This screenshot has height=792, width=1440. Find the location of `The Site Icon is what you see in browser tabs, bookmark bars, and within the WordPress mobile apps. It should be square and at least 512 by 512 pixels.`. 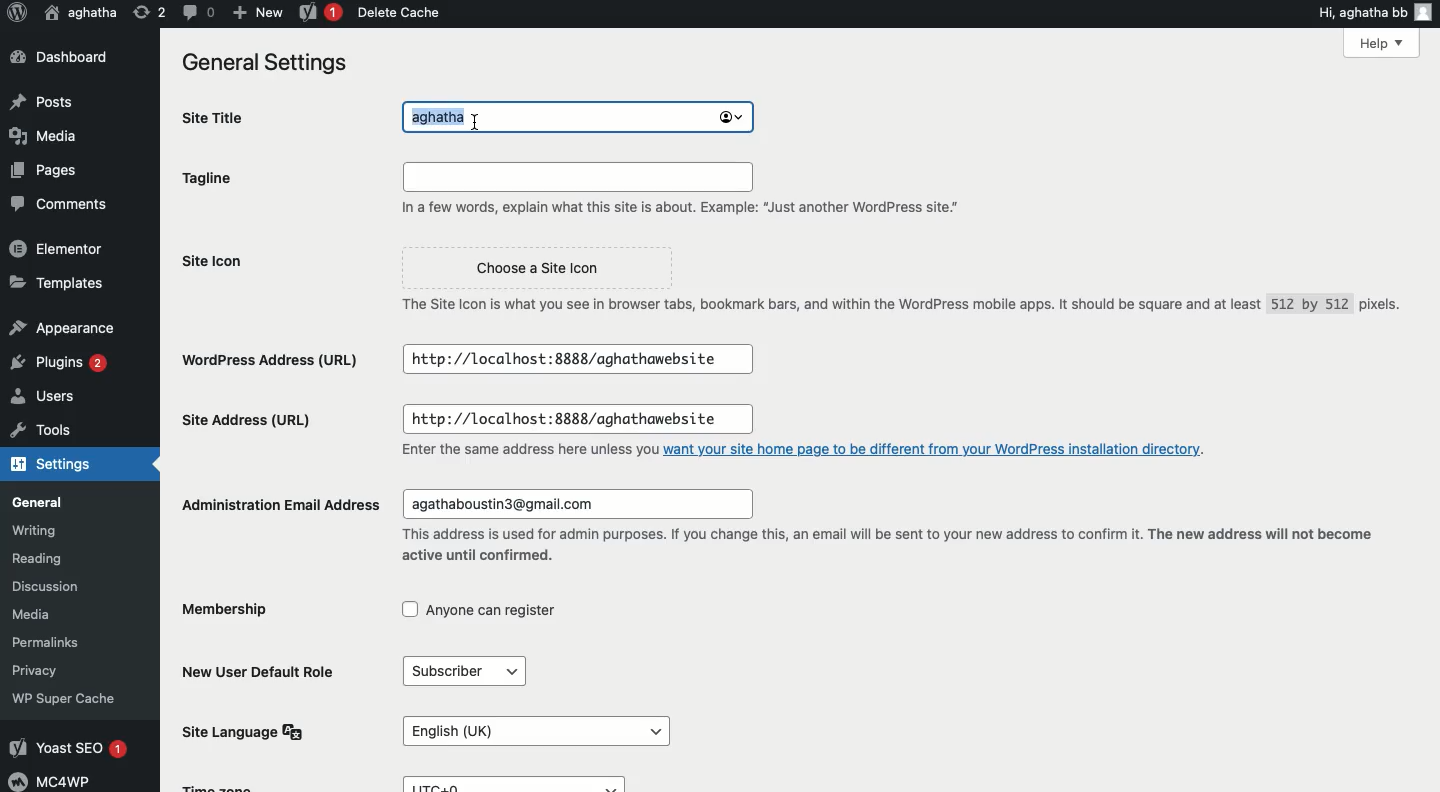

The Site Icon is what you see in browser tabs, bookmark bars, and within the WordPress mobile apps. It should be square and at least 512 by 512 pixels. is located at coordinates (895, 306).